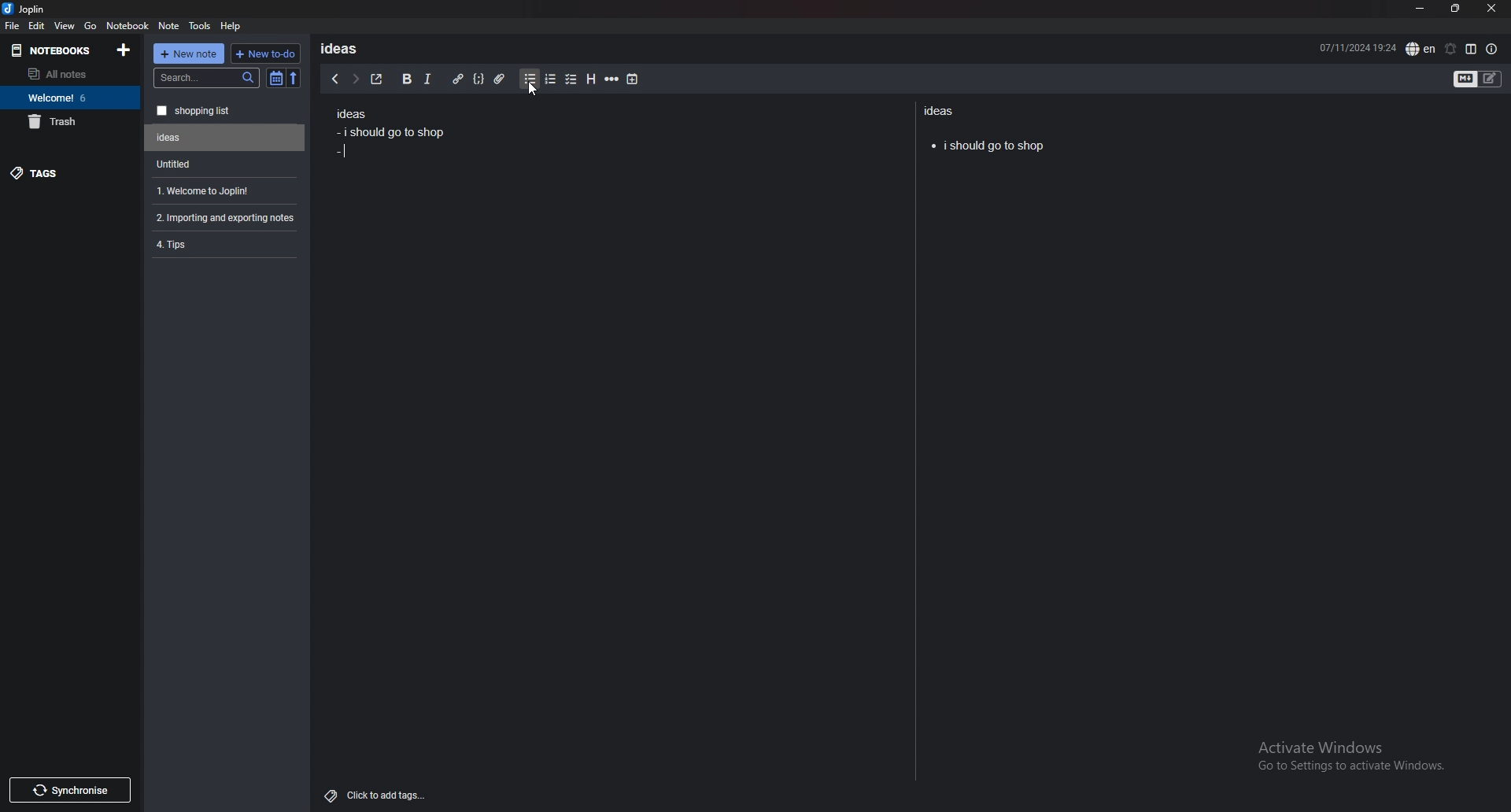  What do you see at coordinates (189, 54) in the screenshot?
I see `new note` at bounding box center [189, 54].